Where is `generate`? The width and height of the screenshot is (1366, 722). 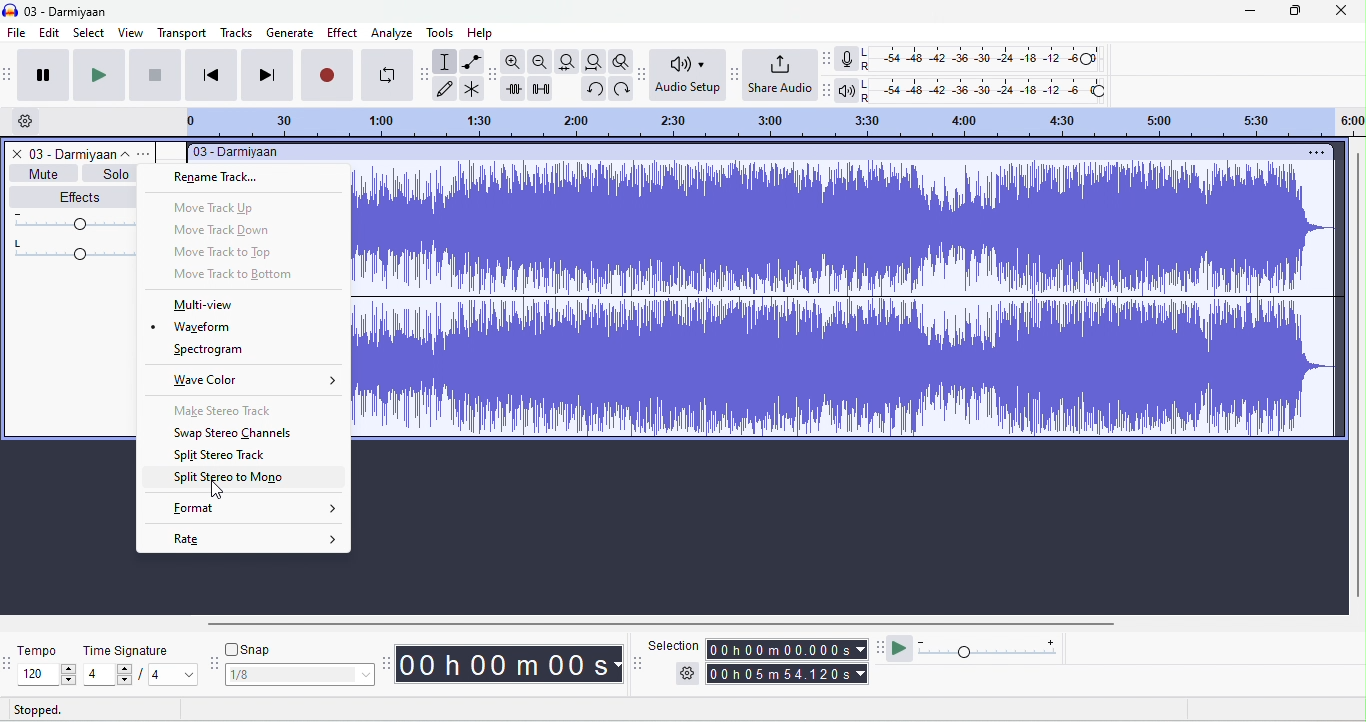
generate is located at coordinates (288, 32).